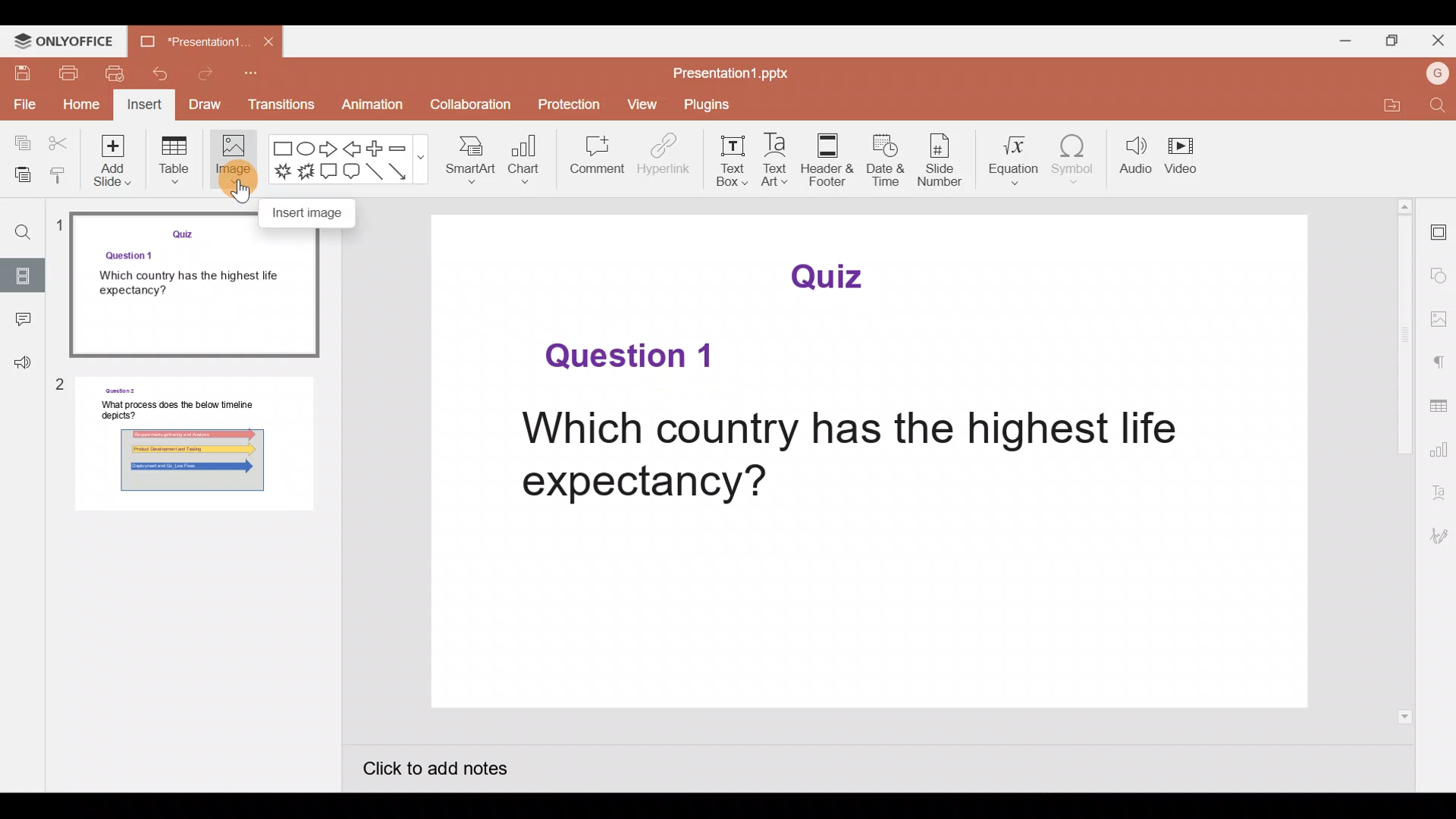 The width and height of the screenshot is (1456, 819). What do you see at coordinates (17, 364) in the screenshot?
I see `Feedback & support` at bounding box center [17, 364].